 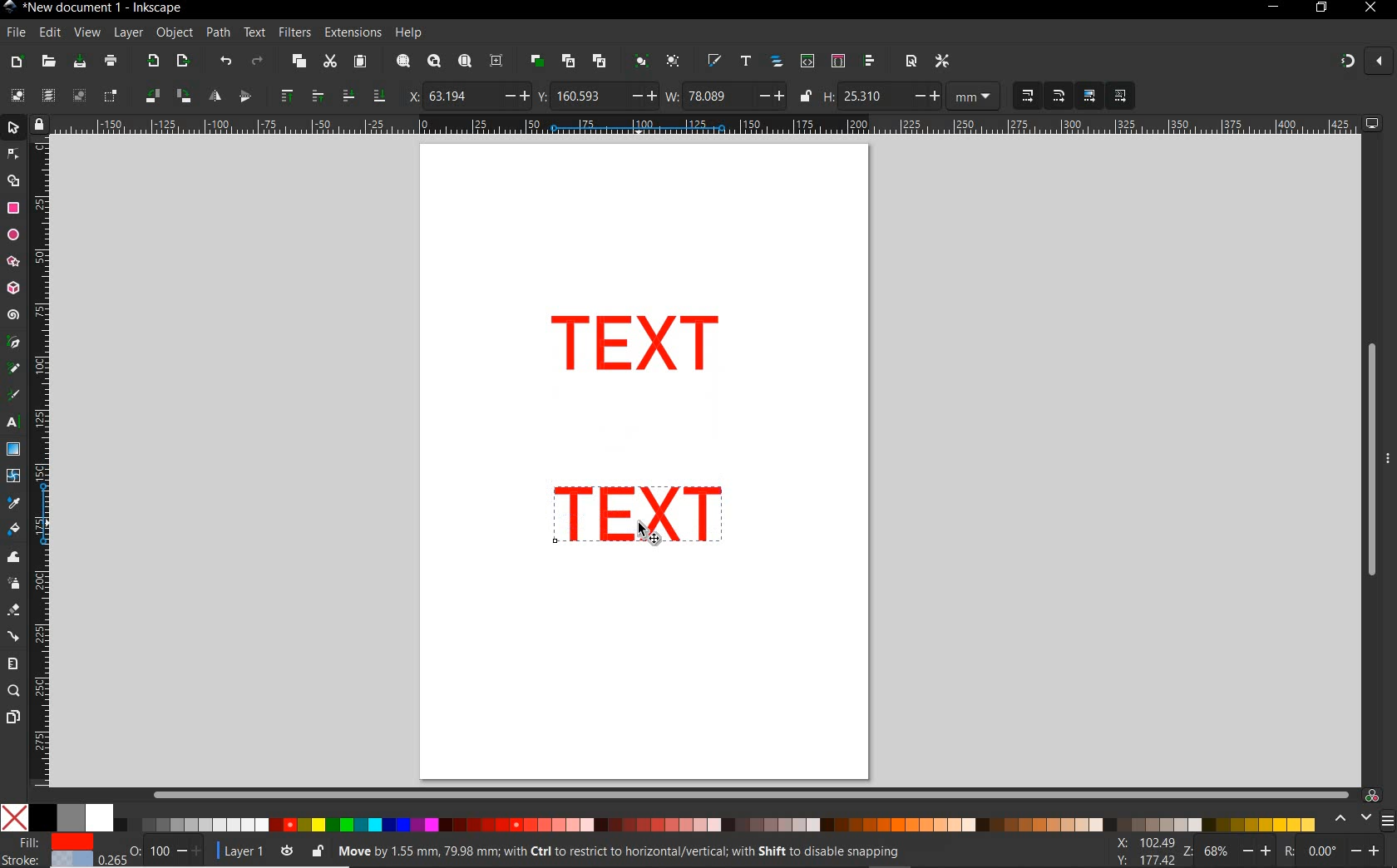 What do you see at coordinates (14, 32) in the screenshot?
I see `file` at bounding box center [14, 32].